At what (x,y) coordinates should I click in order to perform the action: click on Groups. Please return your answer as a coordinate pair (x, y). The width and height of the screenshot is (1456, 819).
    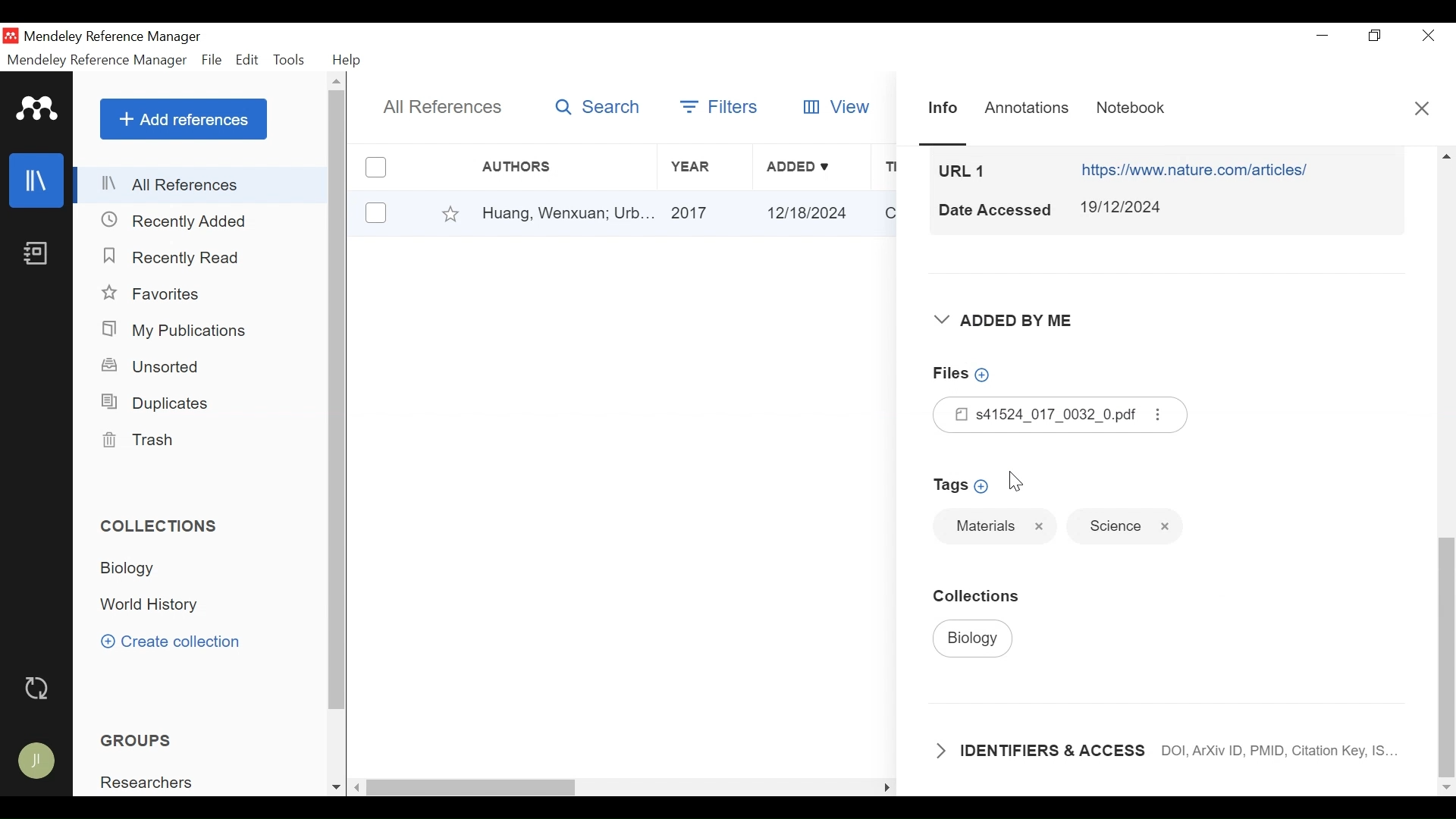
    Looking at the image, I should click on (136, 740).